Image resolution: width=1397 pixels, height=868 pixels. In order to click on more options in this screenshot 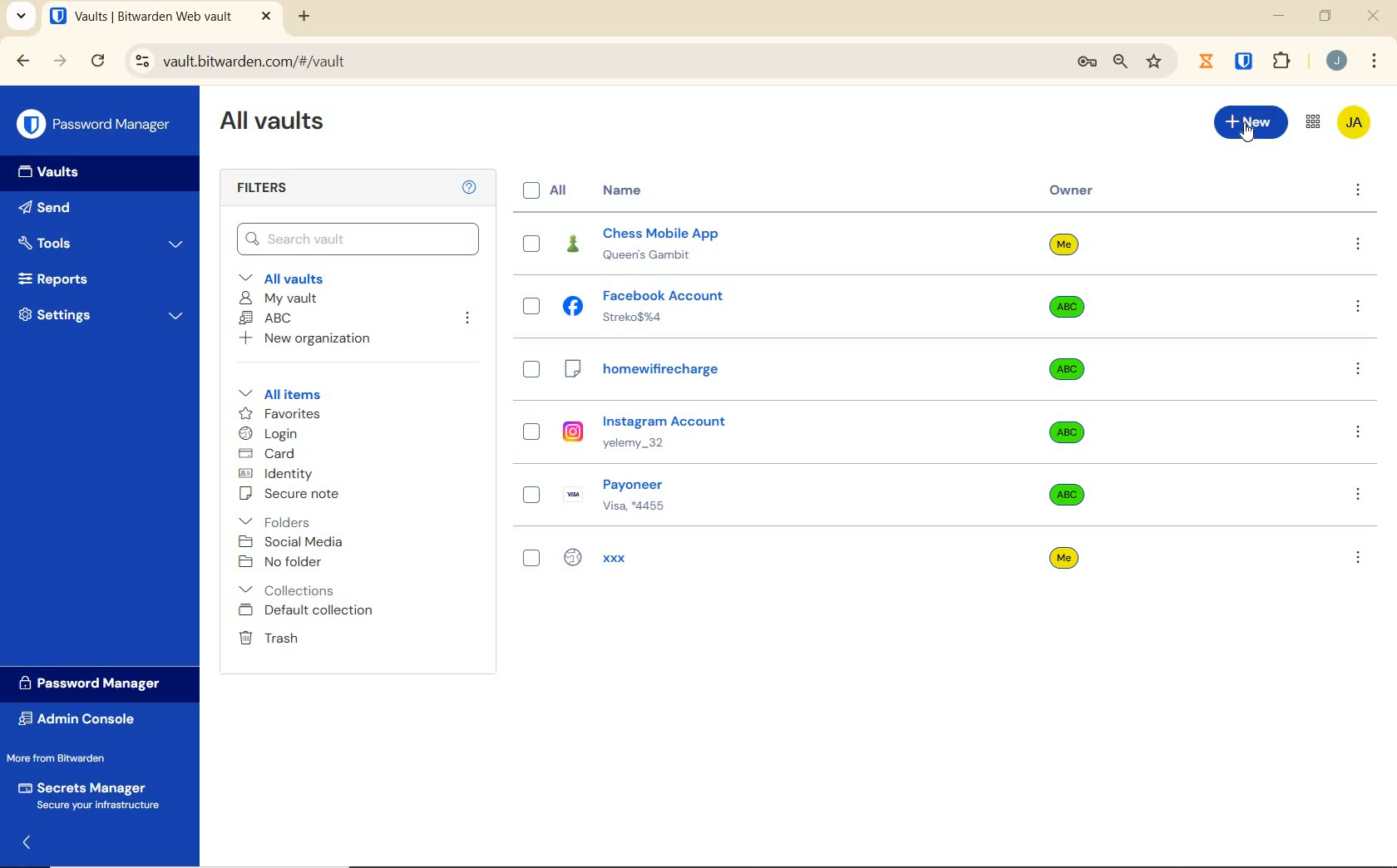, I will do `click(1360, 374)`.